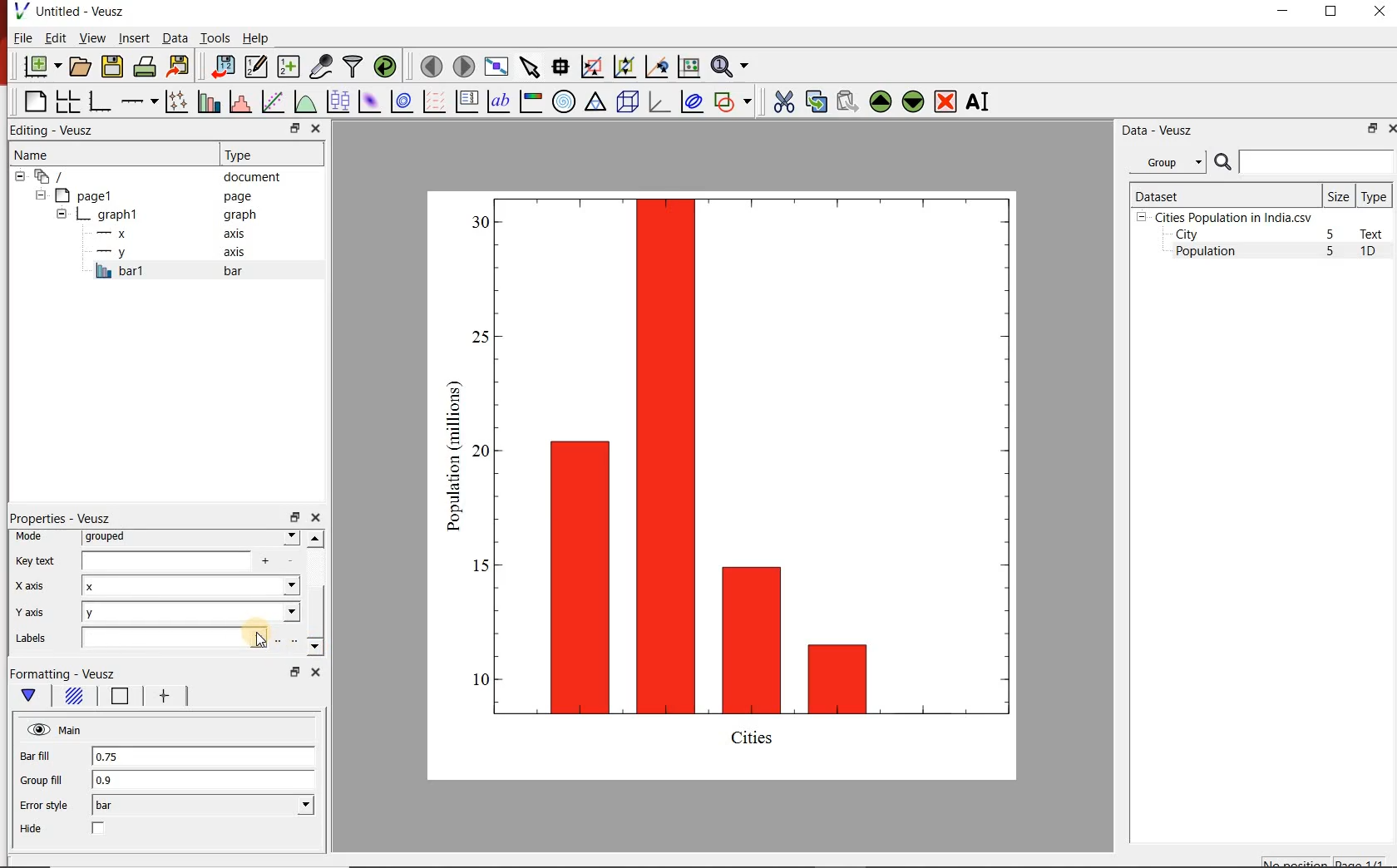 The height and width of the screenshot is (868, 1397). What do you see at coordinates (1232, 217) in the screenshot?
I see `Cities Population in India.csv` at bounding box center [1232, 217].